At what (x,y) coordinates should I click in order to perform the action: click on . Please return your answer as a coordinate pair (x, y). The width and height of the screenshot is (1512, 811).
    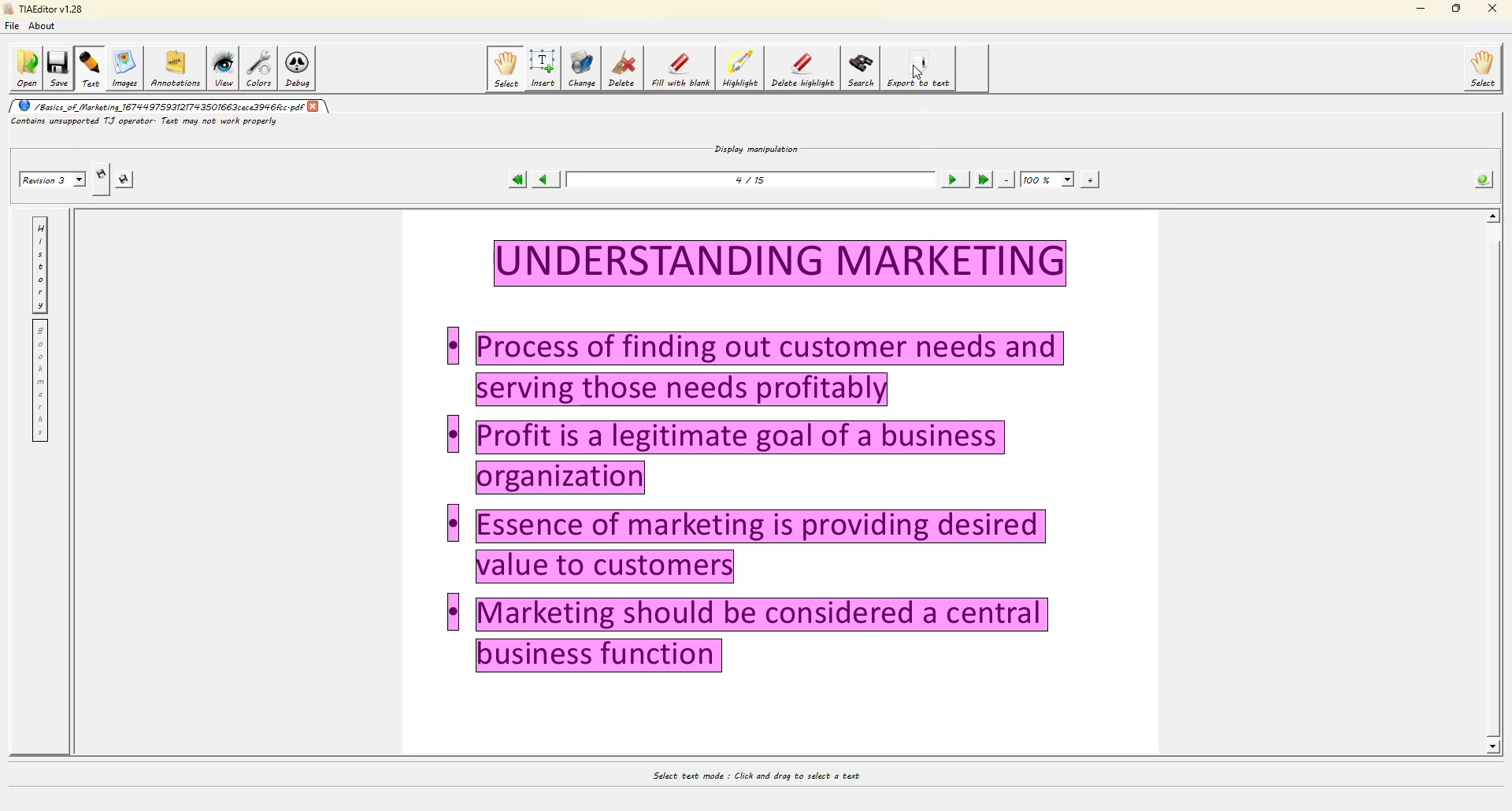
    Looking at the image, I should click on (775, 369).